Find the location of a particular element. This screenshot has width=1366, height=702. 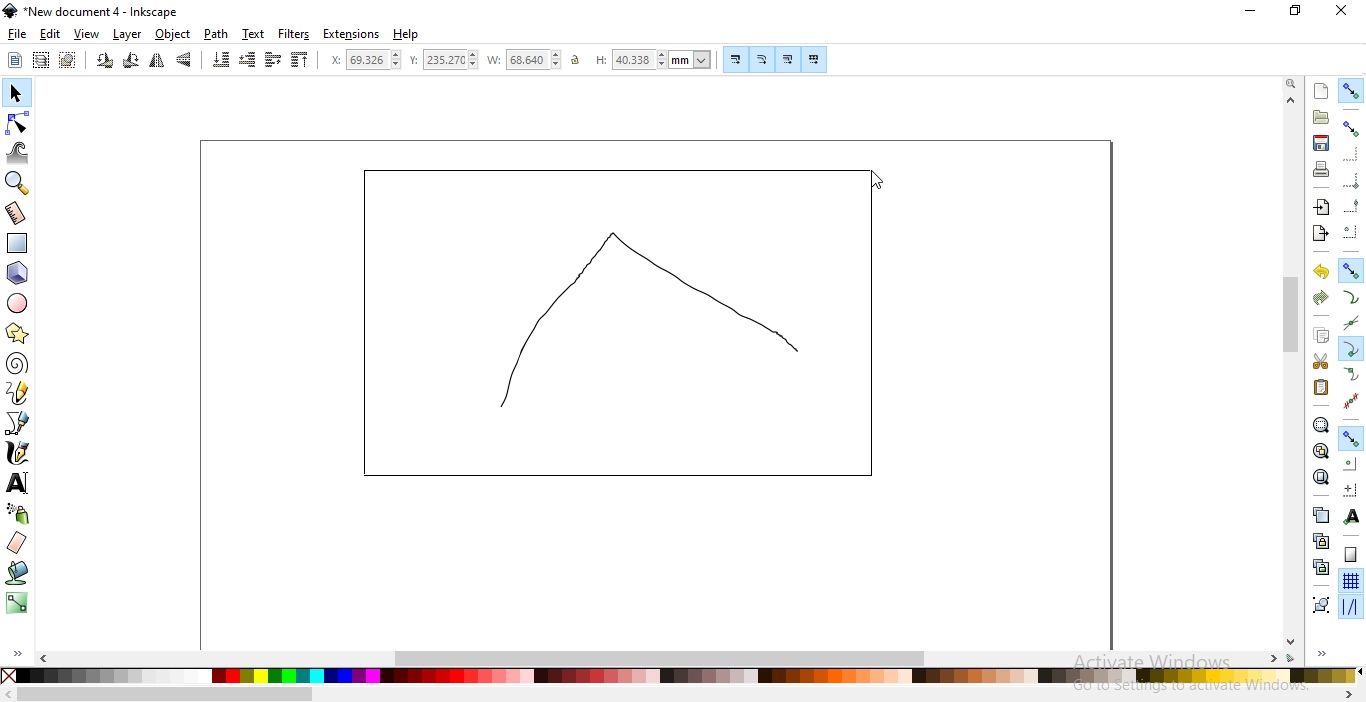

new document 4 - Inkscape is located at coordinates (102, 12).